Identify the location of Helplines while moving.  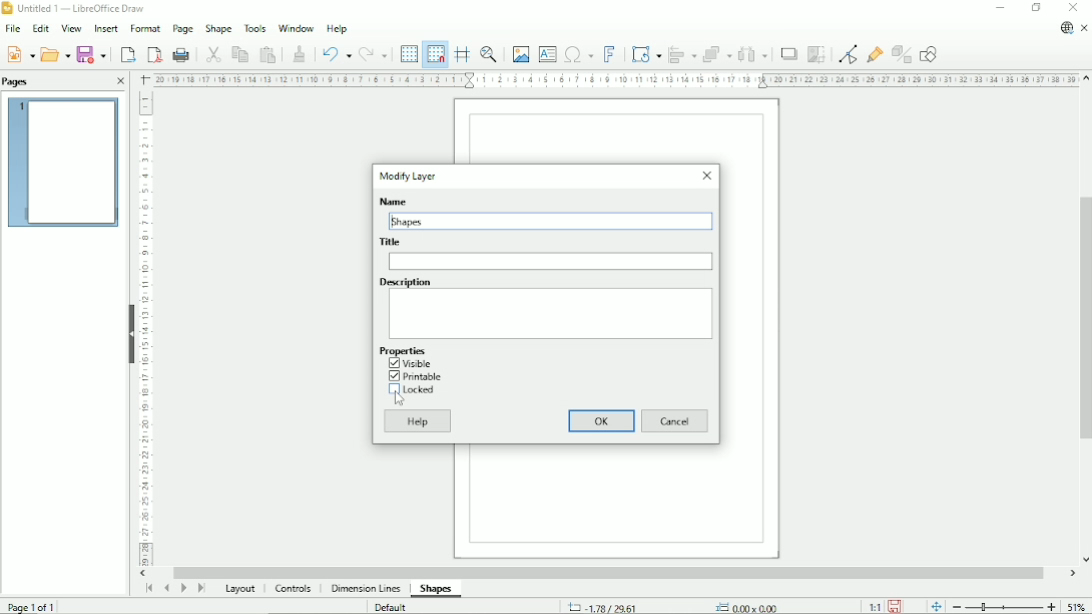
(461, 53).